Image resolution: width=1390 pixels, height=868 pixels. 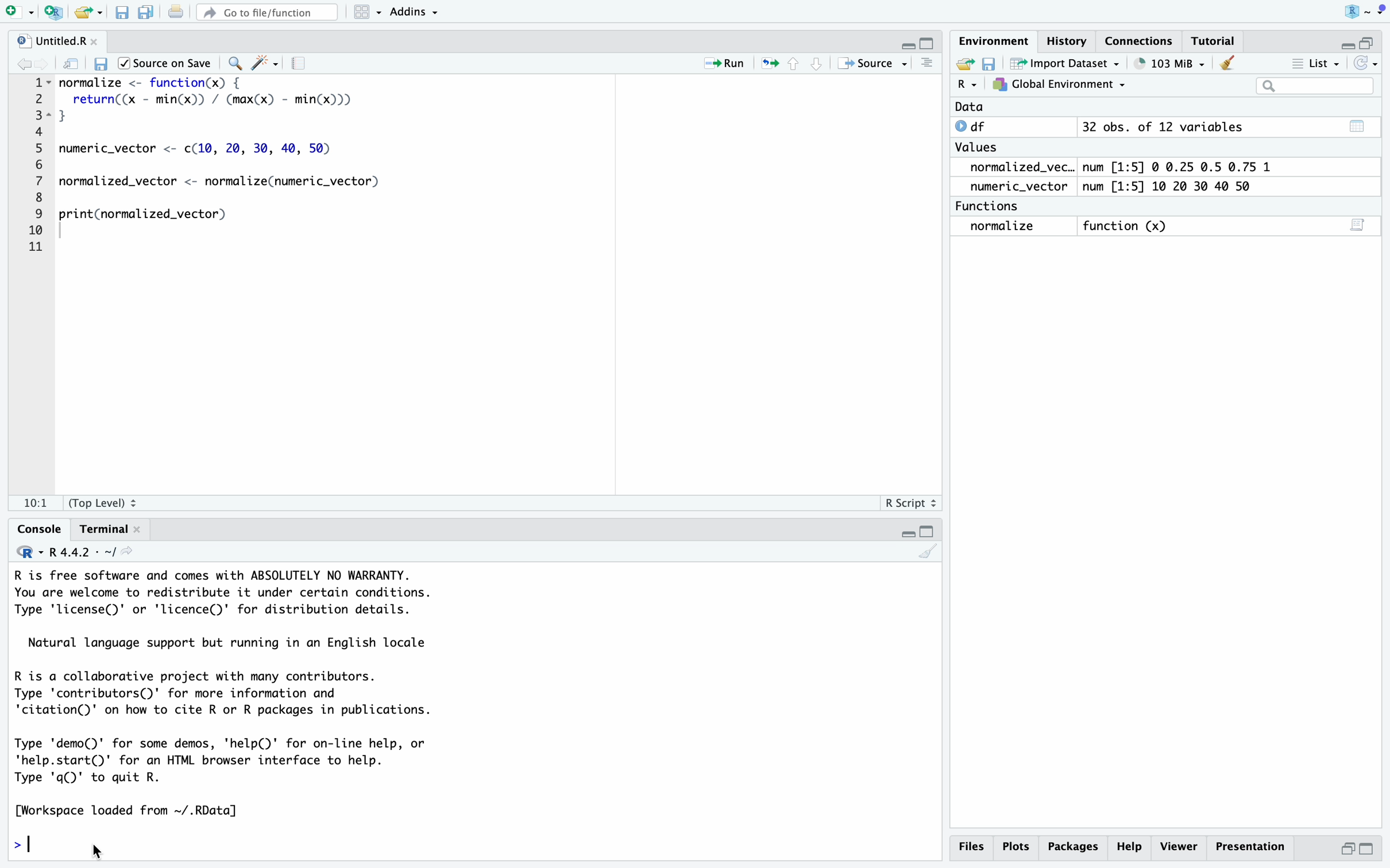 I want to click on Find/Replace, so click(x=235, y=60).